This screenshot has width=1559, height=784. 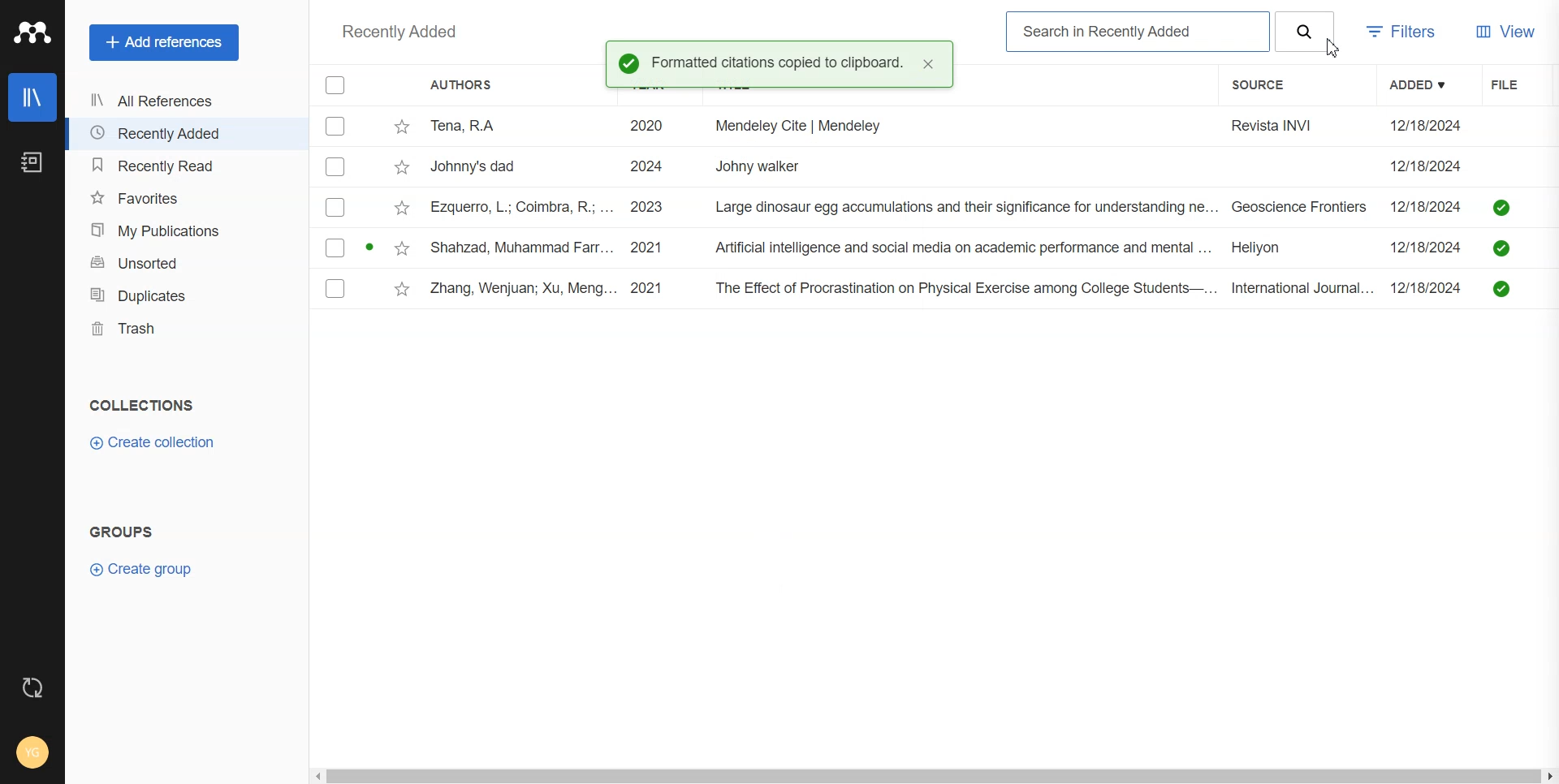 What do you see at coordinates (184, 166) in the screenshot?
I see `Recently Read` at bounding box center [184, 166].